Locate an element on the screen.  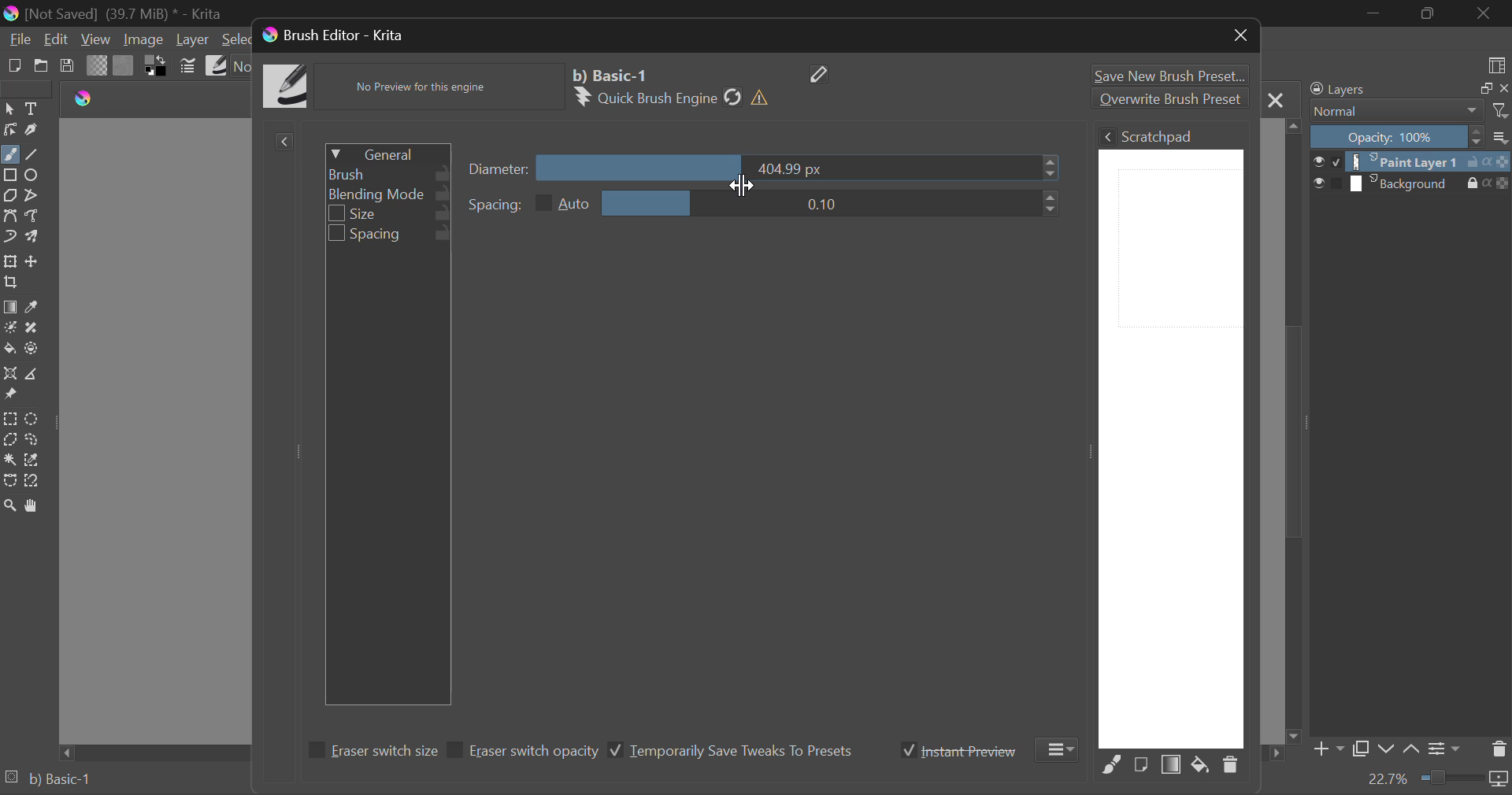
Circular Selection is located at coordinates (32, 419).